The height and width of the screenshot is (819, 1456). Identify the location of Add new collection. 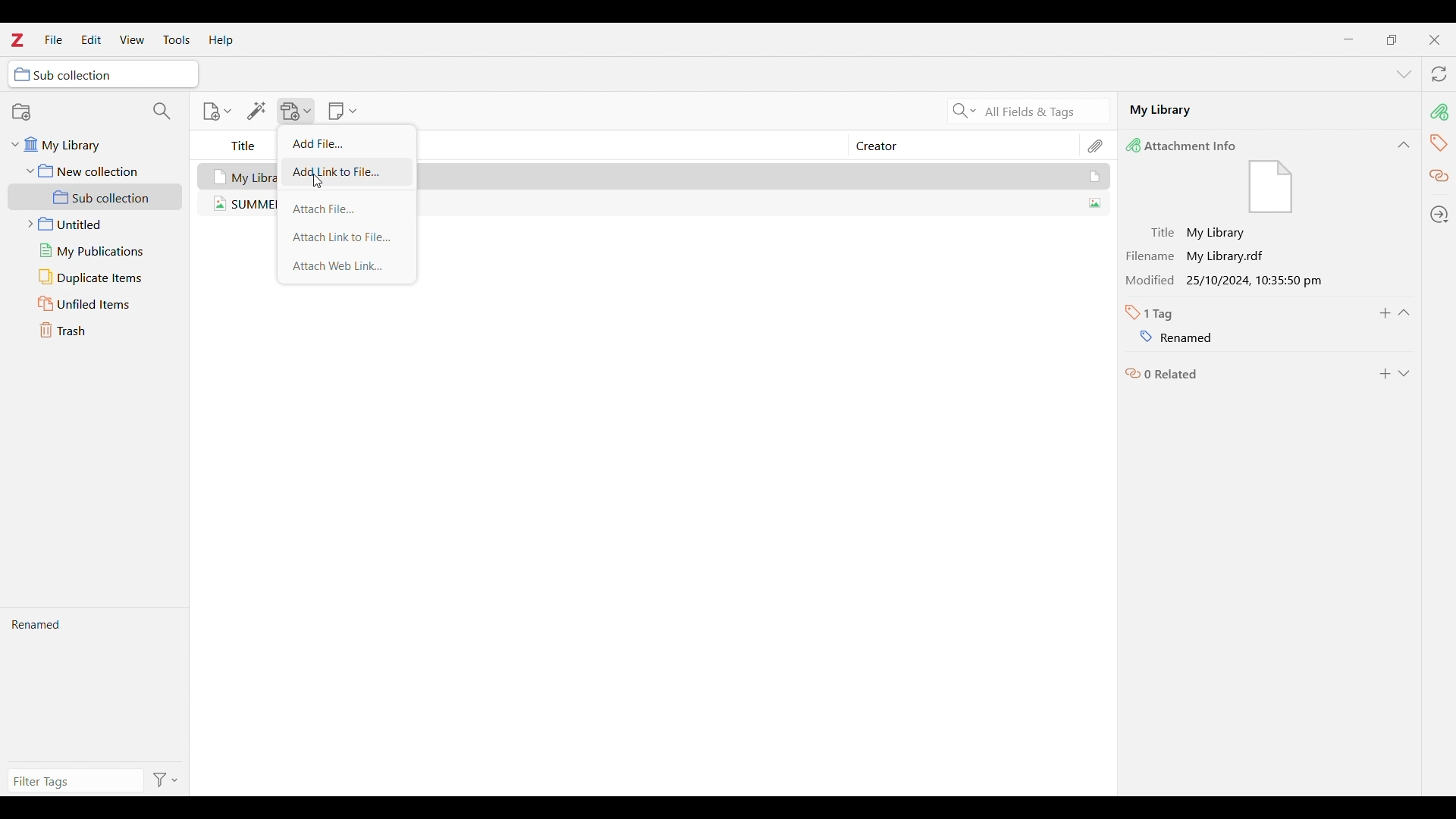
(20, 111).